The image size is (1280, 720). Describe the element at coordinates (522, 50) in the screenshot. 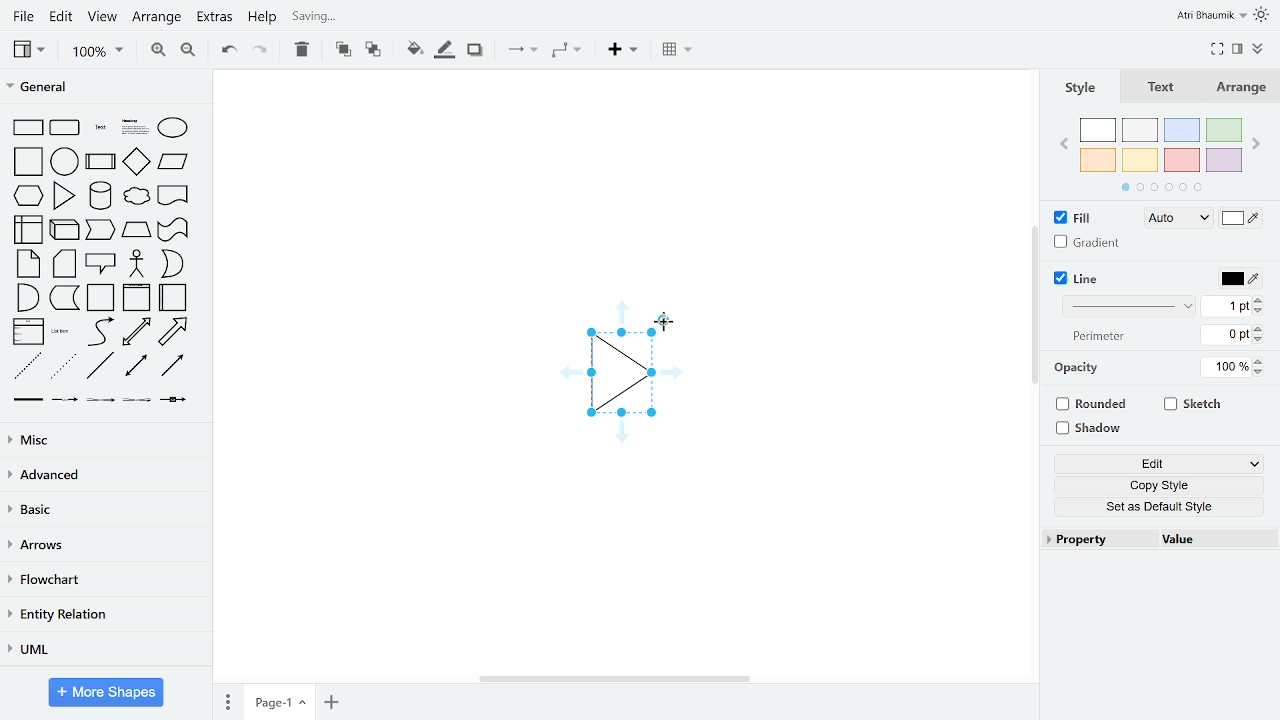

I see `connector` at that location.